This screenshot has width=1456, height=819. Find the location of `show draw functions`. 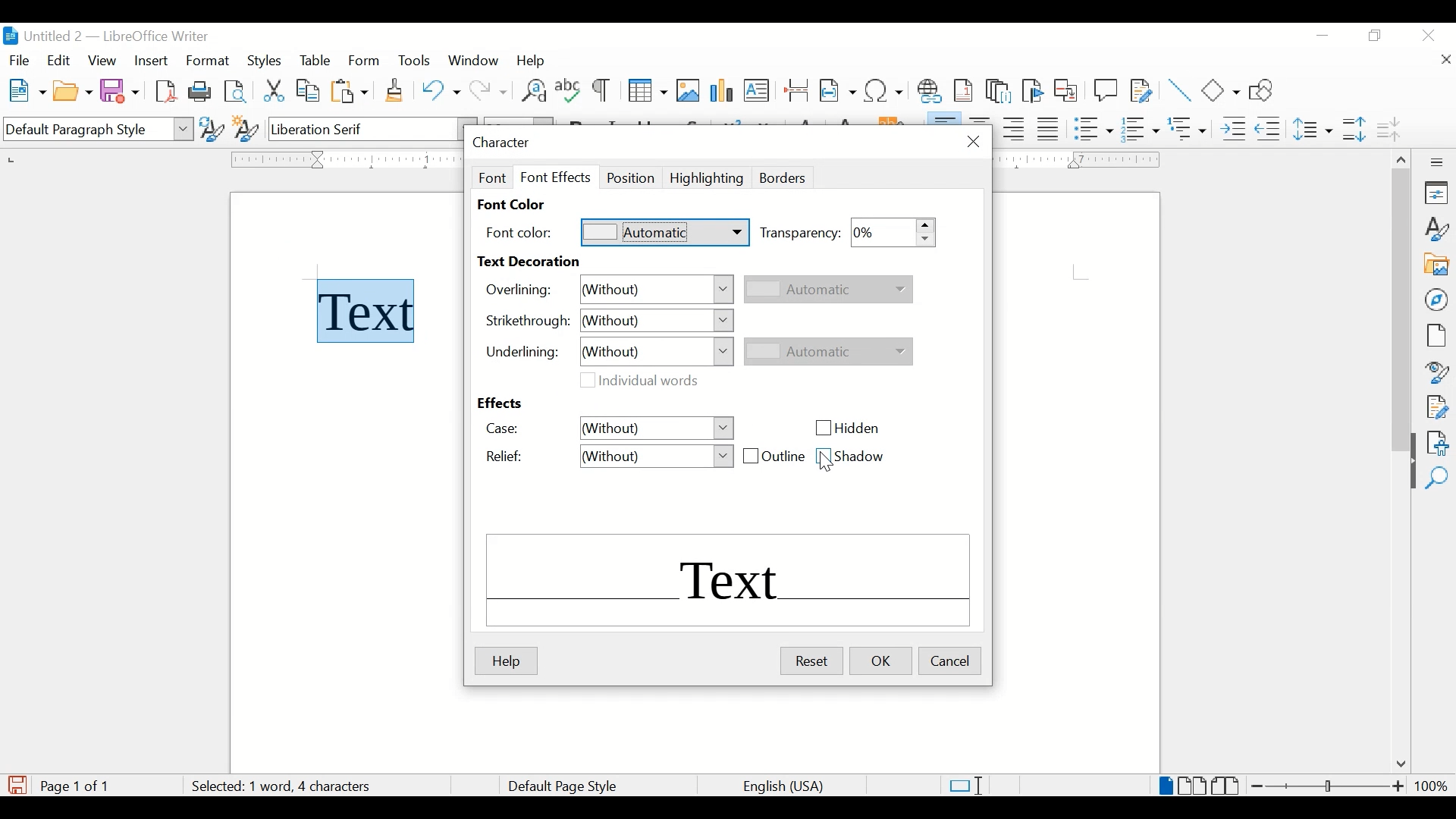

show draw functions is located at coordinates (1266, 89).